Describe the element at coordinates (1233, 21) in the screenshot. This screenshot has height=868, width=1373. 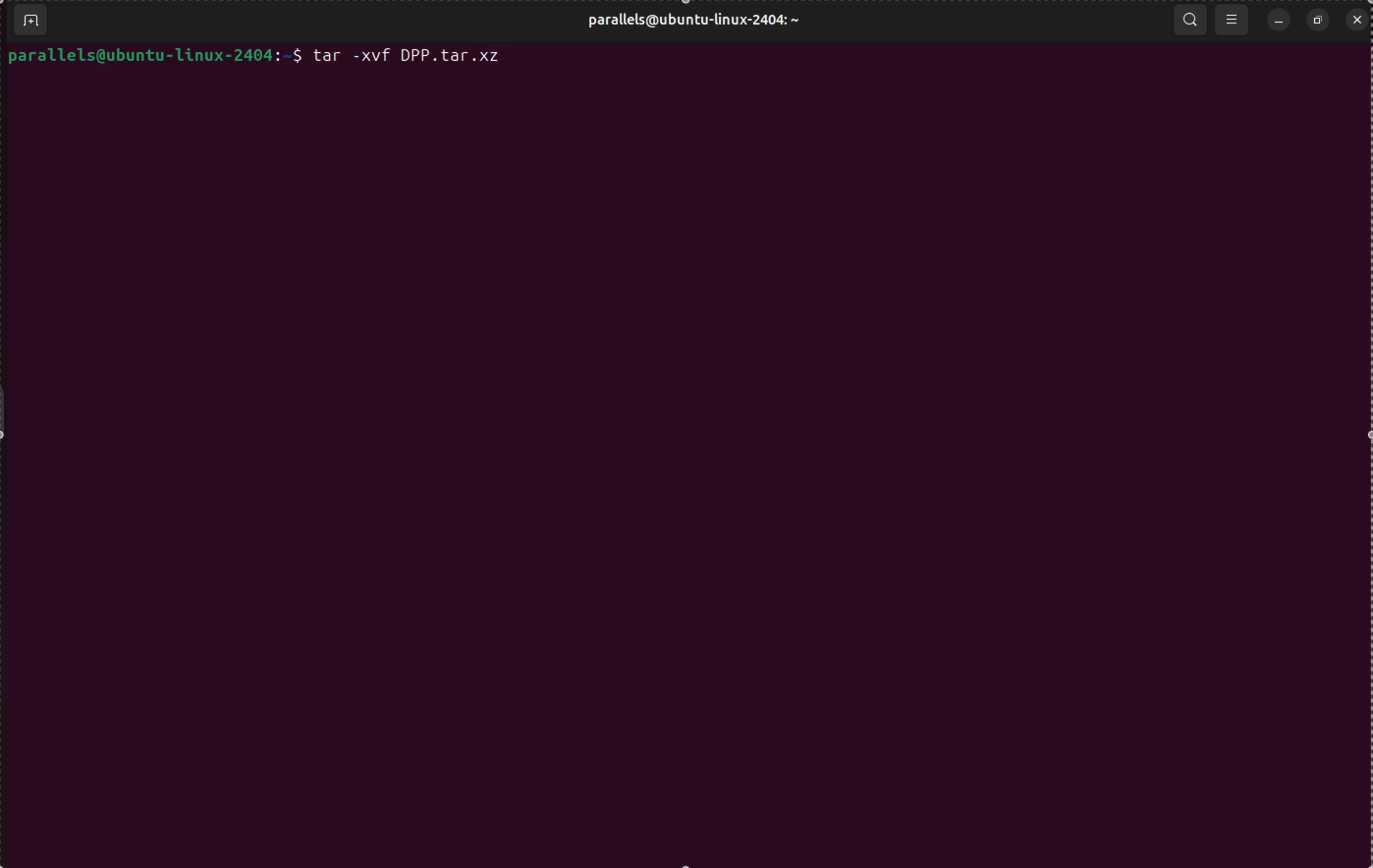
I see `view options` at that location.